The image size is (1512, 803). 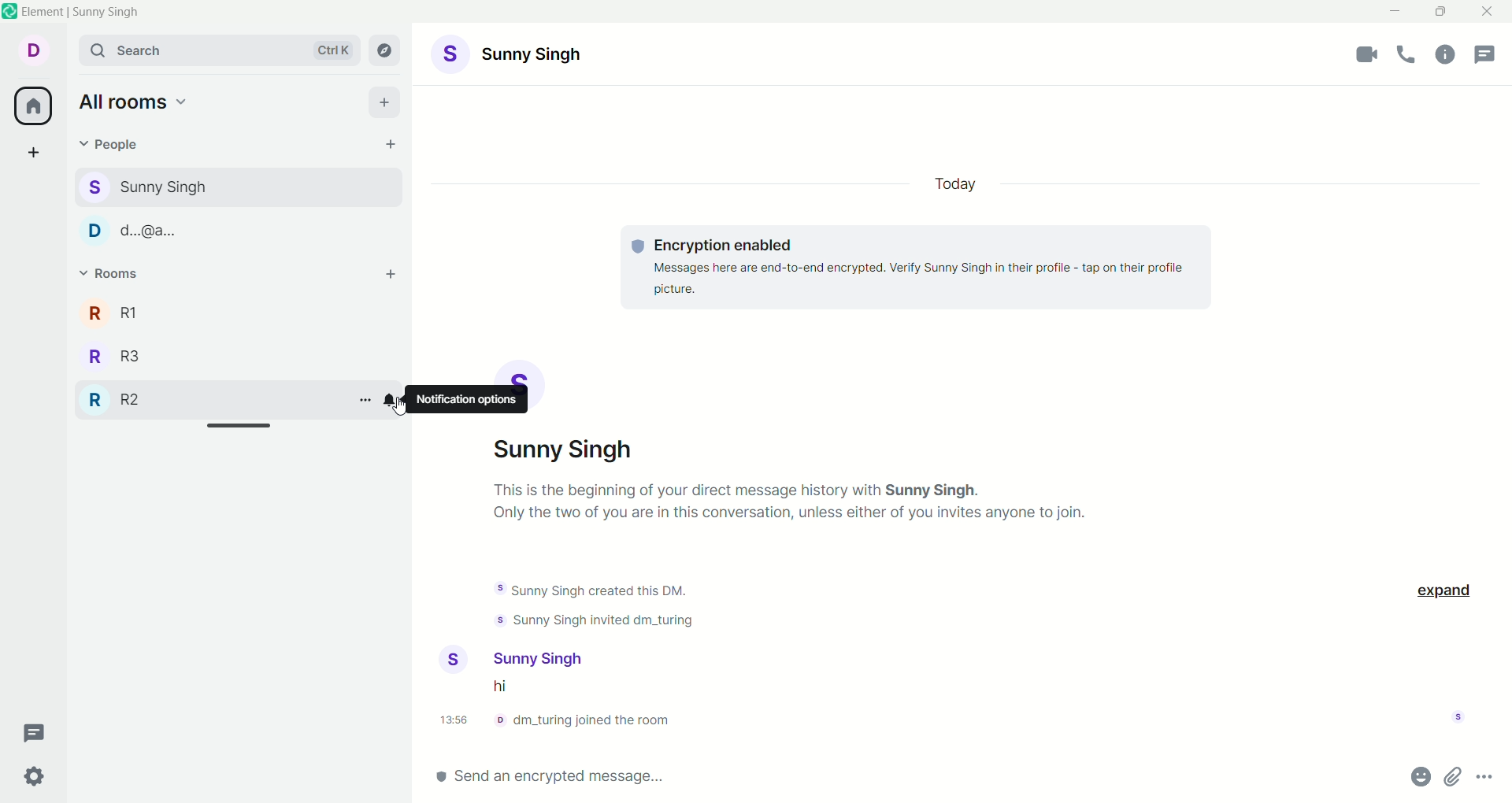 I want to click on create a space, so click(x=36, y=152).